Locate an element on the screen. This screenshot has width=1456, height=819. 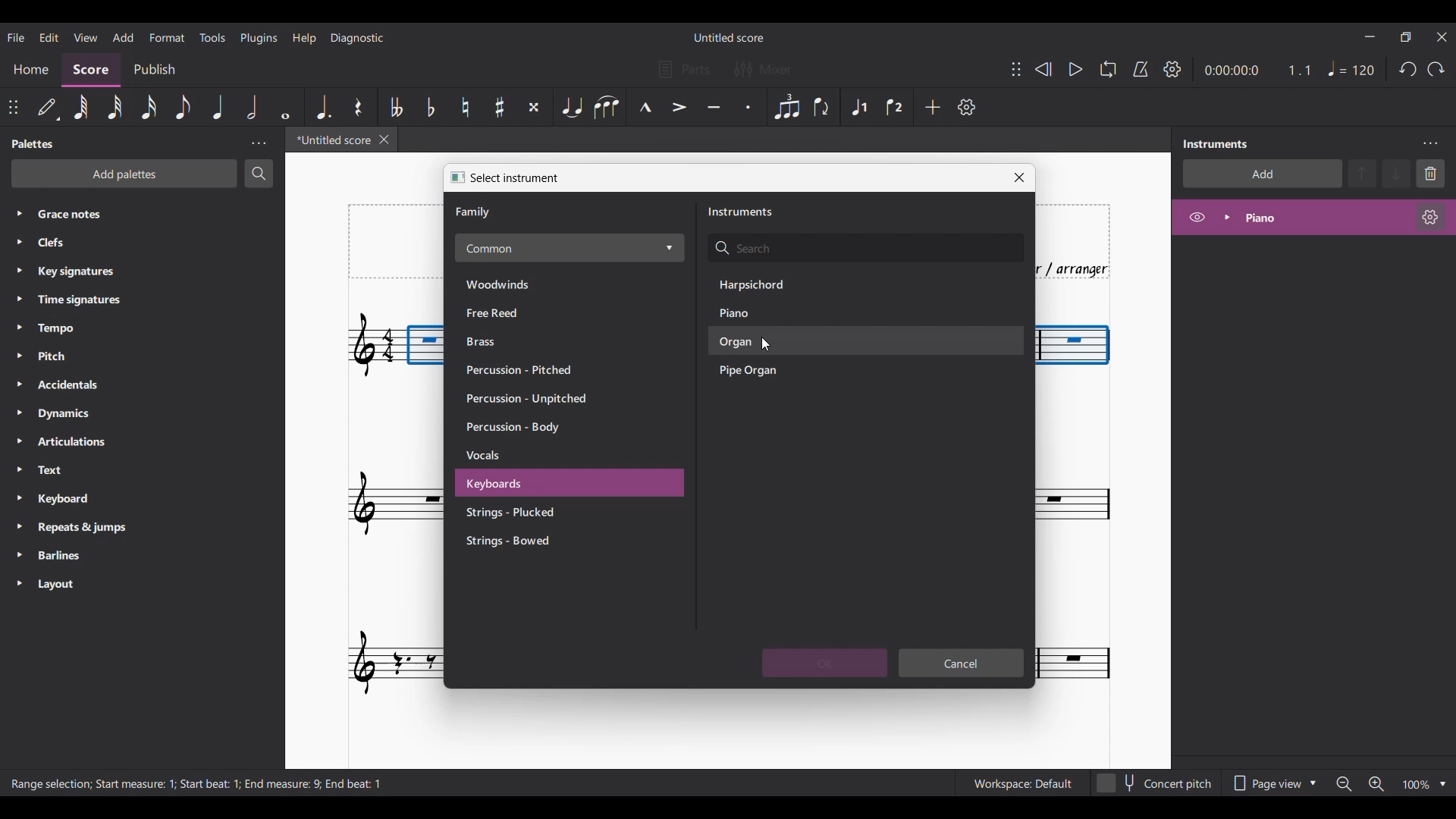
Delete is located at coordinates (1431, 174).